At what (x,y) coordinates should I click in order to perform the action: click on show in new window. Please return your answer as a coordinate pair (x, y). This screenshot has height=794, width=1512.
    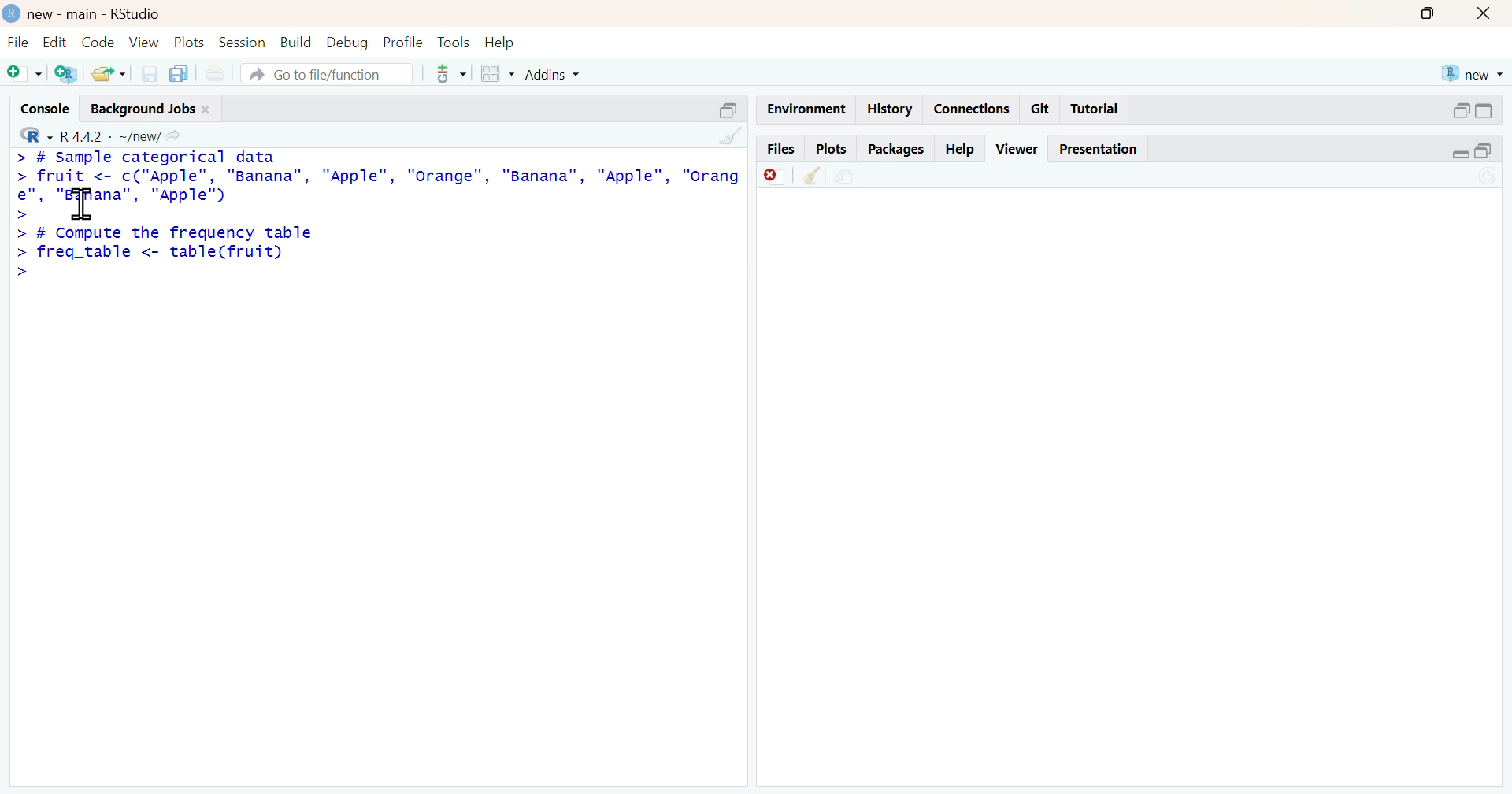
    Looking at the image, I should click on (842, 177).